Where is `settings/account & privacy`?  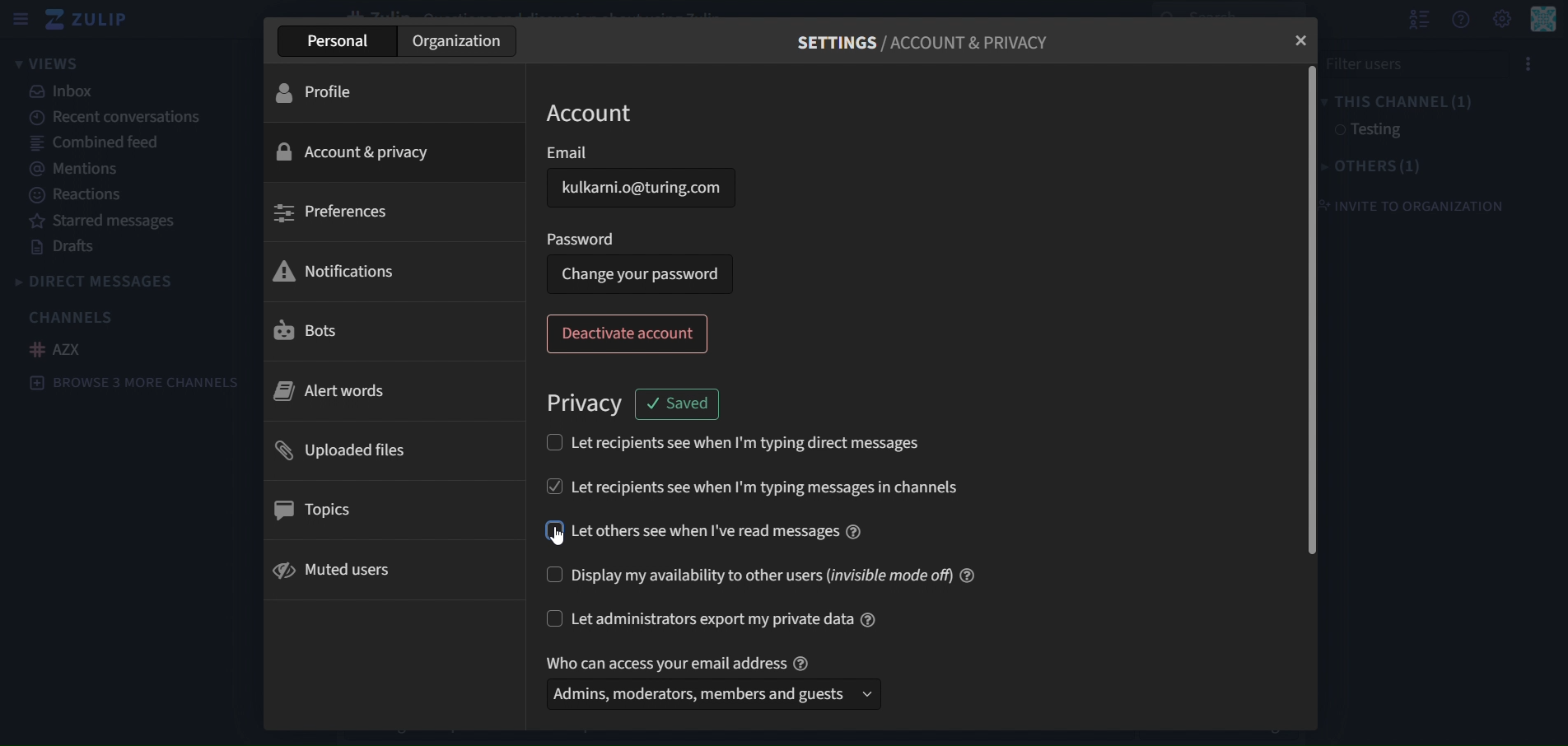
settings/account & privacy is located at coordinates (919, 45).